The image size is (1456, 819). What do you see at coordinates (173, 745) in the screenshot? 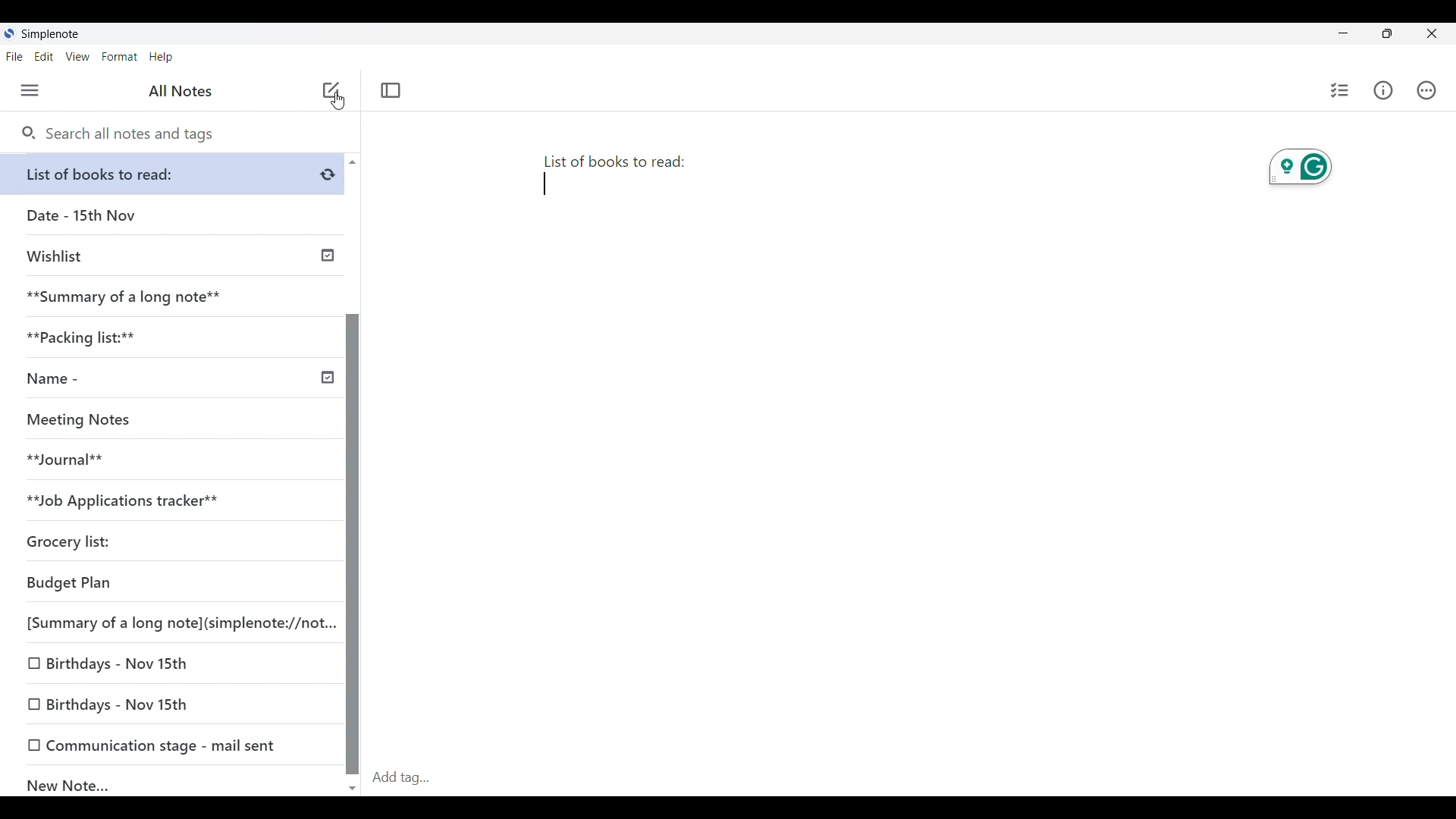
I see `Communication stage - mail sent` at bounding box center [173, 745].